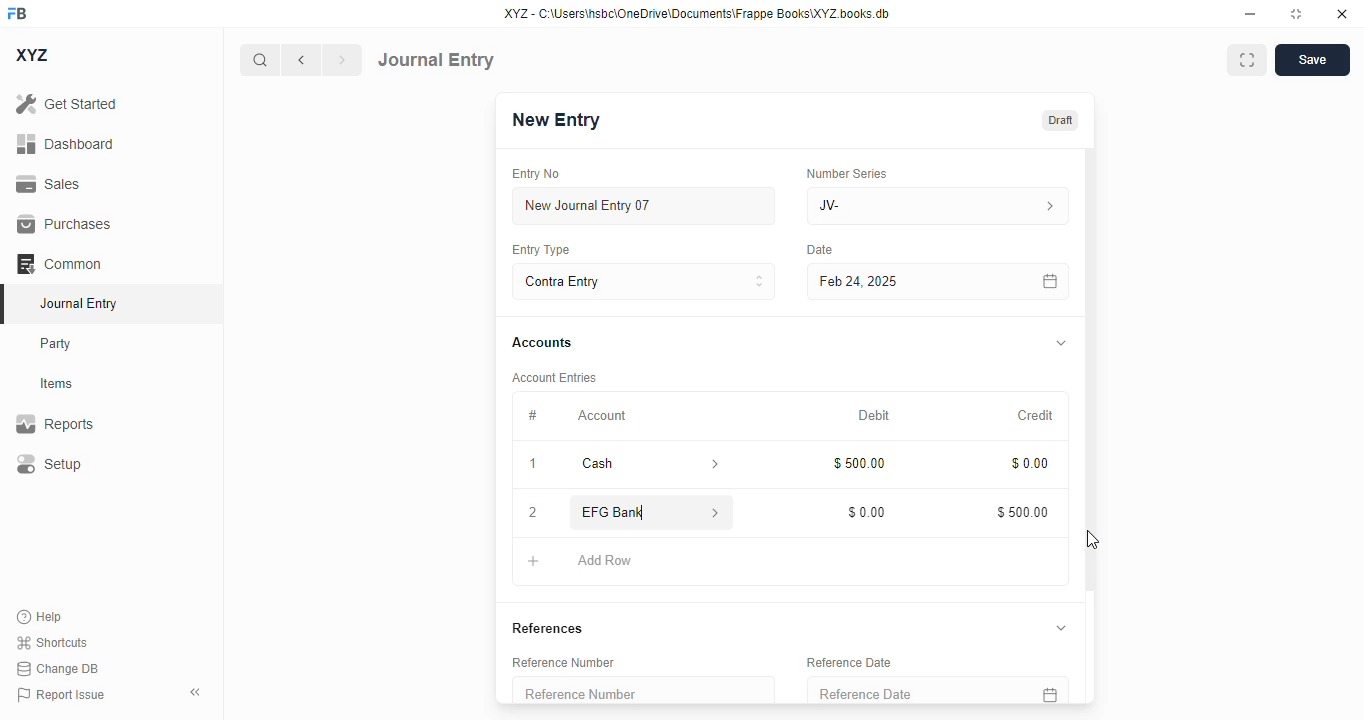 The width and height of the screenshot is (1364, 720). I want to click on search, so click(259, 60).